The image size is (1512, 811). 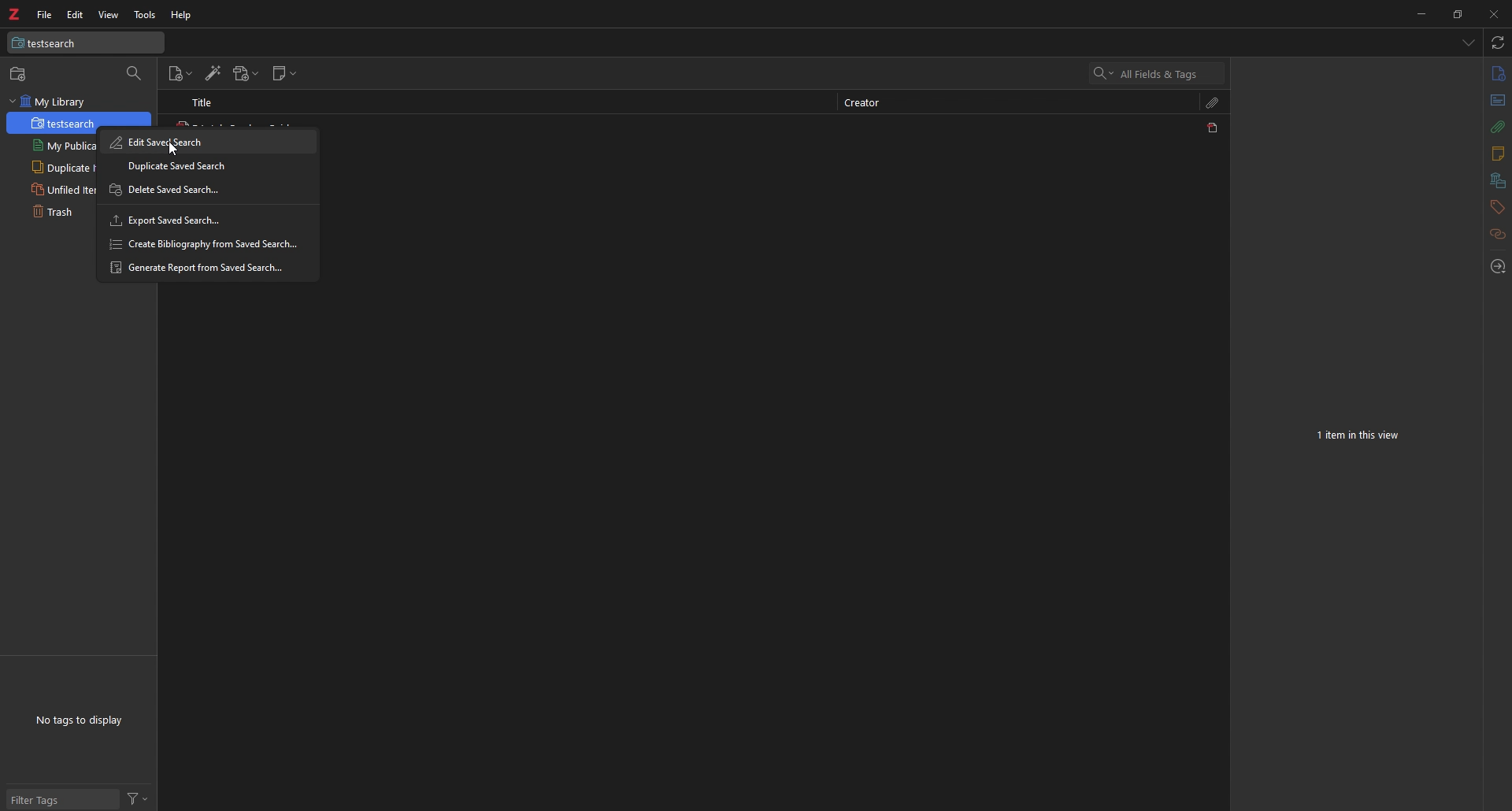 What do you see at coordinates (1421, 13) in the screenshot?
I see `minimize` at bounding box center [1421, 13].